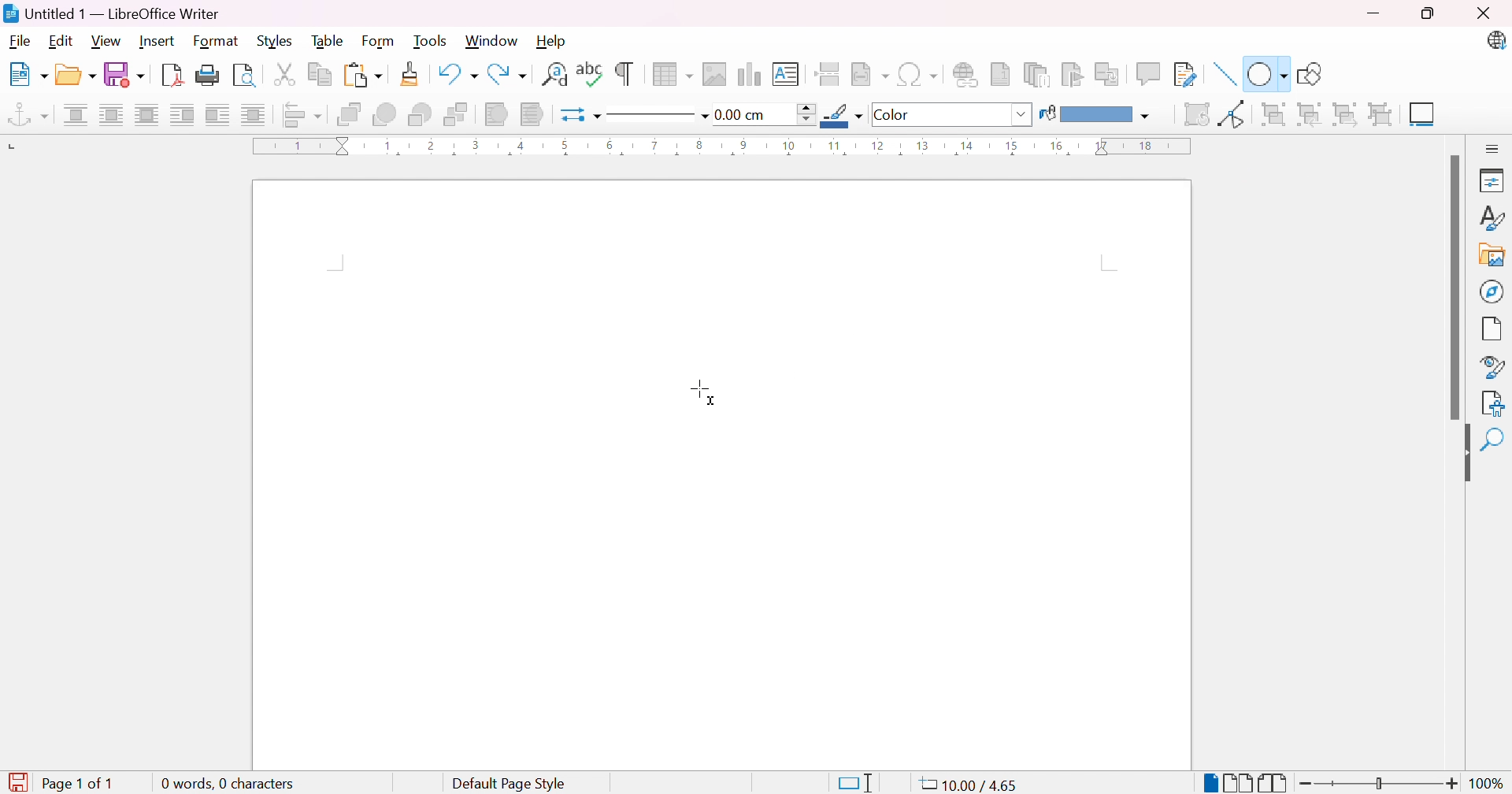 This screenshot has width=1512, height=794. What do you see at coordinates (1492, 331) in the screenshot?
I see `Page` at bounding box center [1492, 331].